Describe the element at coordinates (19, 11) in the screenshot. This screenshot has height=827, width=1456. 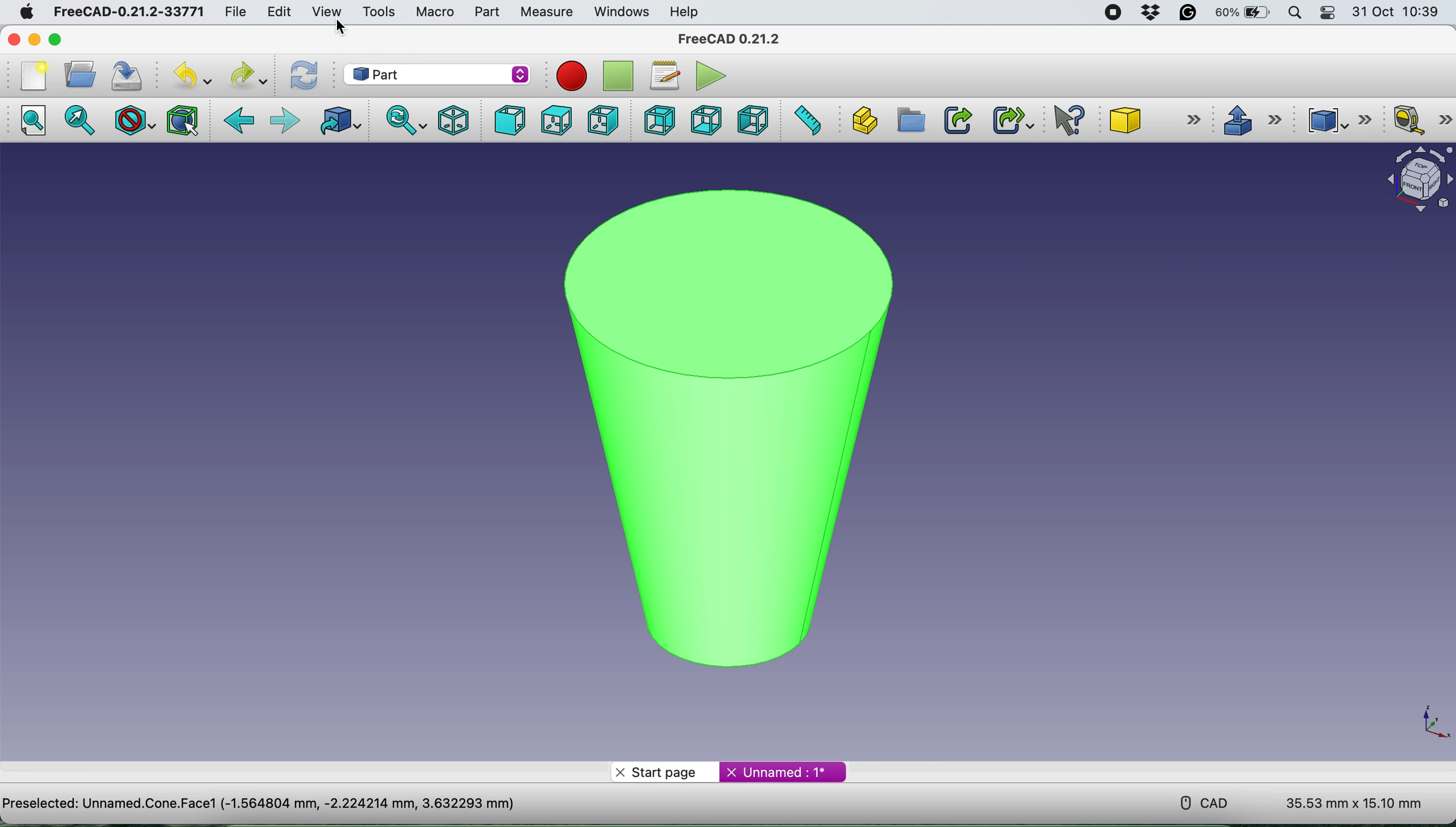
I see `system logo` at that location.